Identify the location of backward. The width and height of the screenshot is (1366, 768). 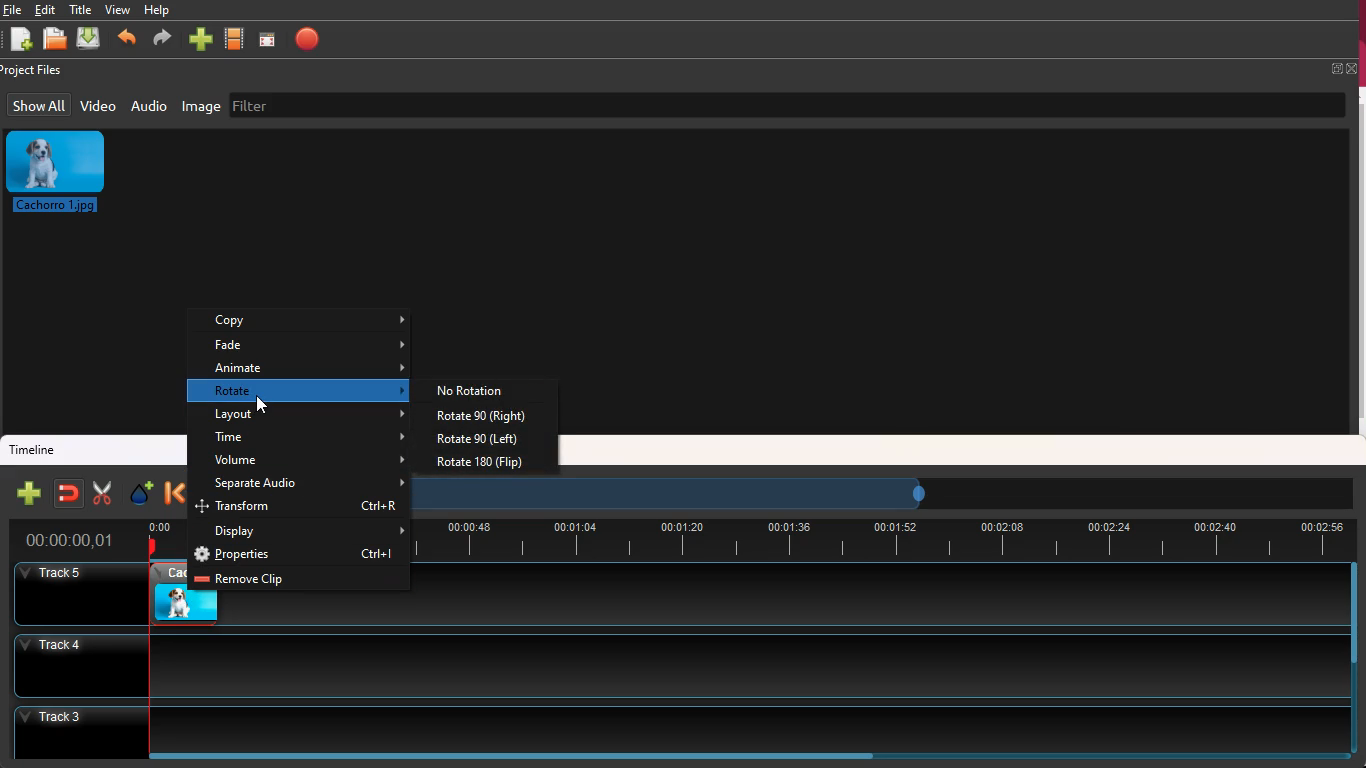
(174, 493).